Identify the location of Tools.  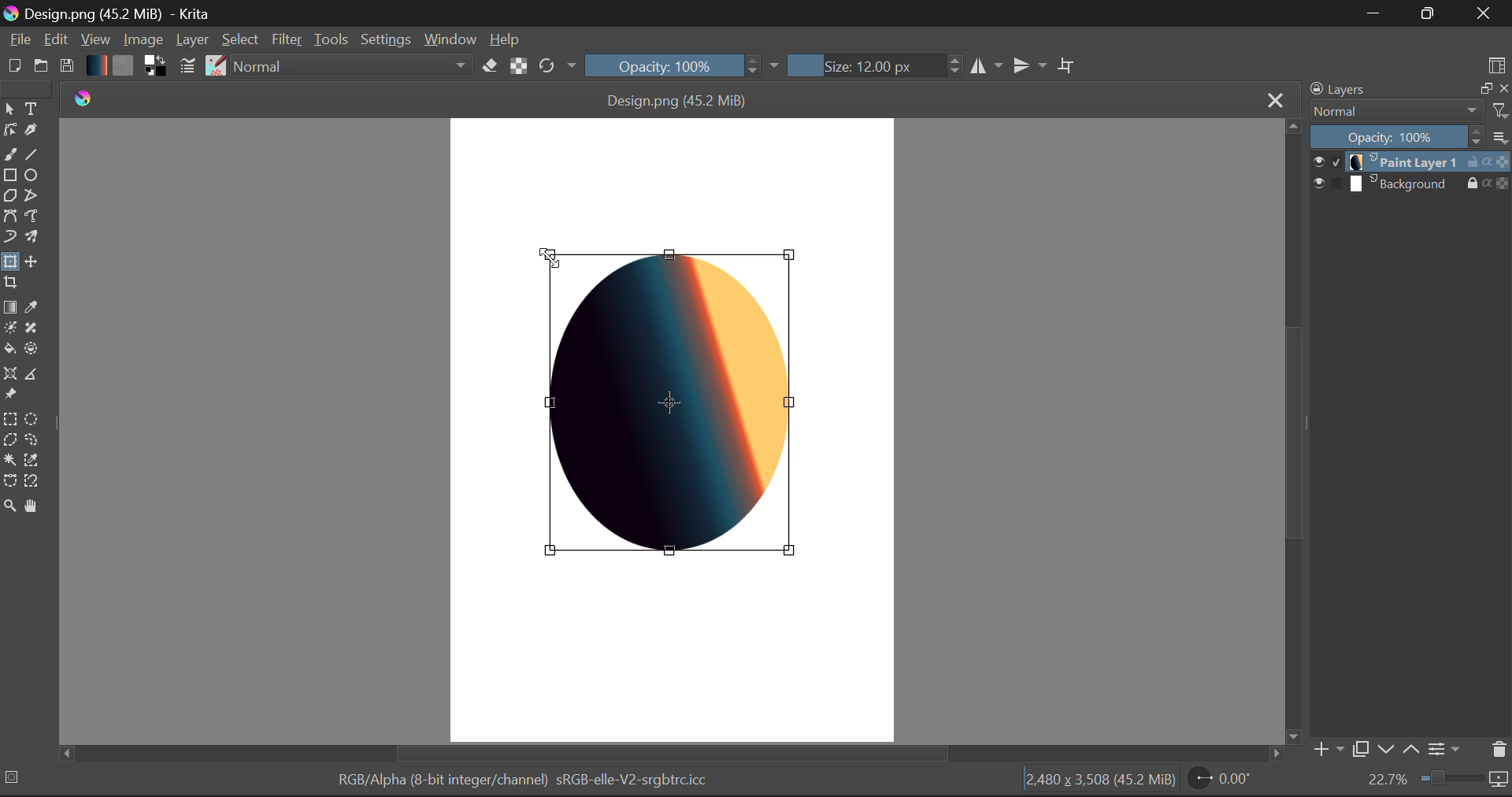
(331, 38).